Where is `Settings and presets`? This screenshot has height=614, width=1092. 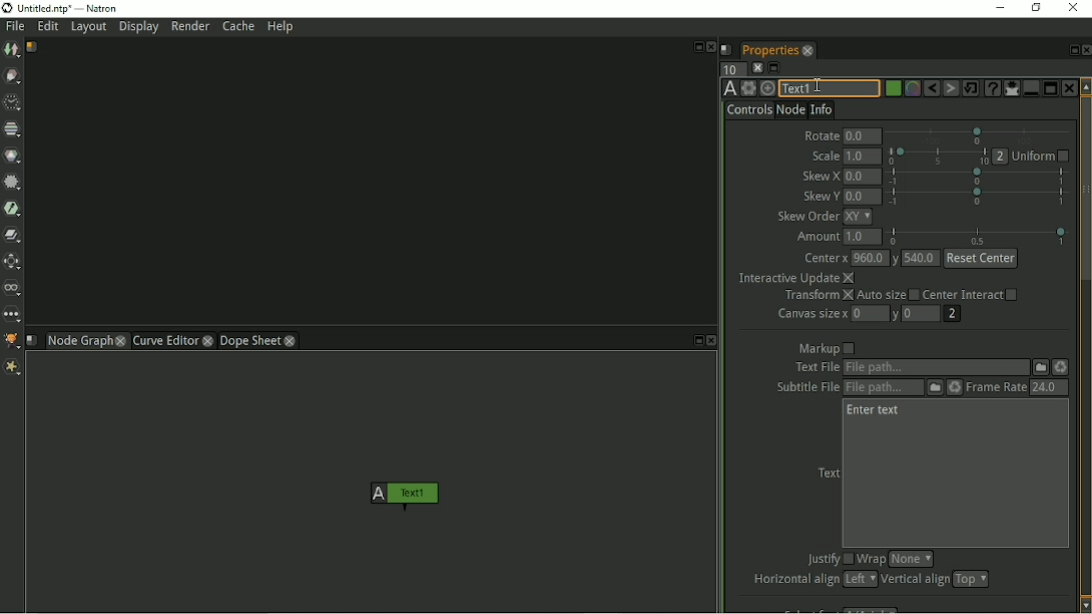
Settings and presets is located at coordinates (748, 88).